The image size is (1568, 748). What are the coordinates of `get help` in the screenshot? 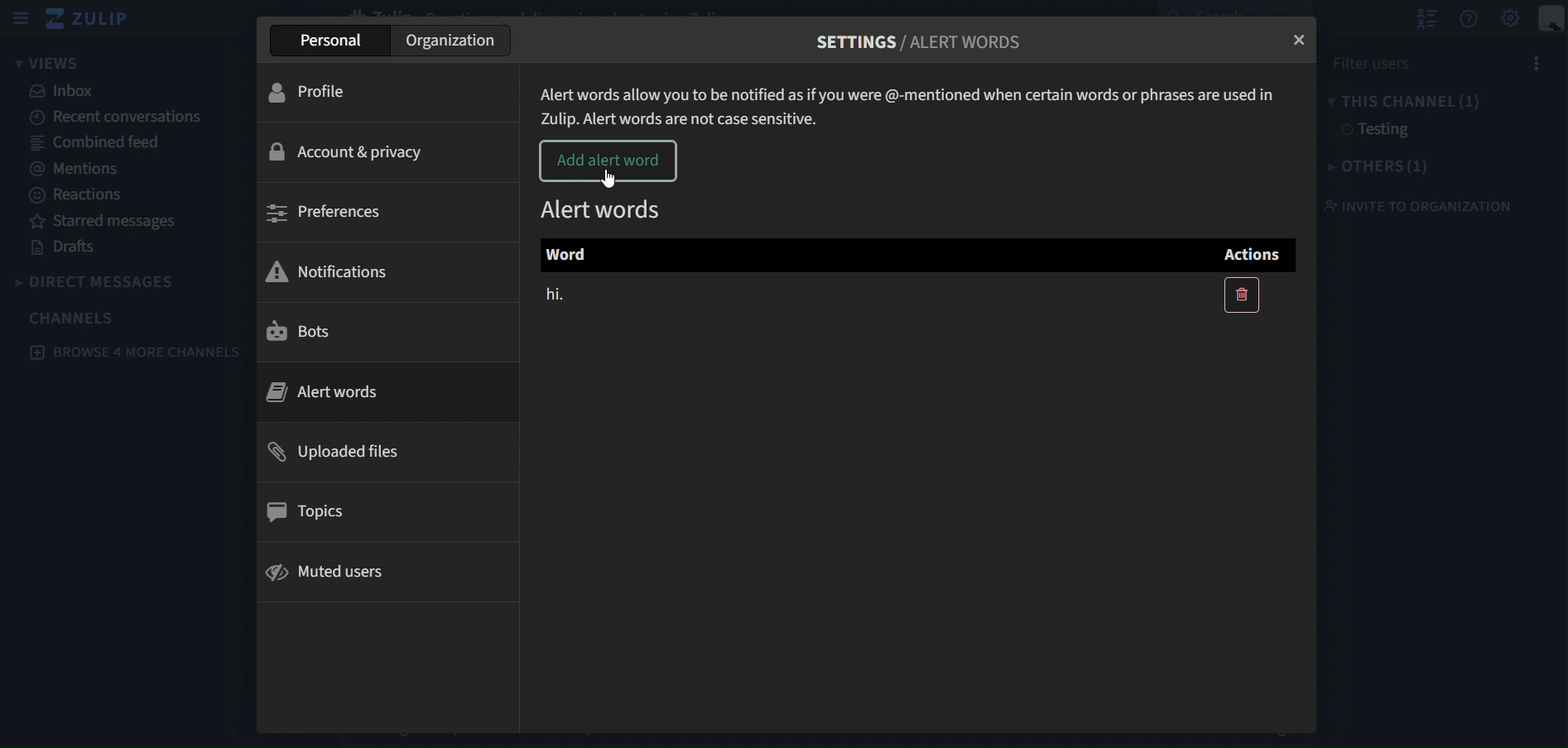 It's located at (1468, 19).